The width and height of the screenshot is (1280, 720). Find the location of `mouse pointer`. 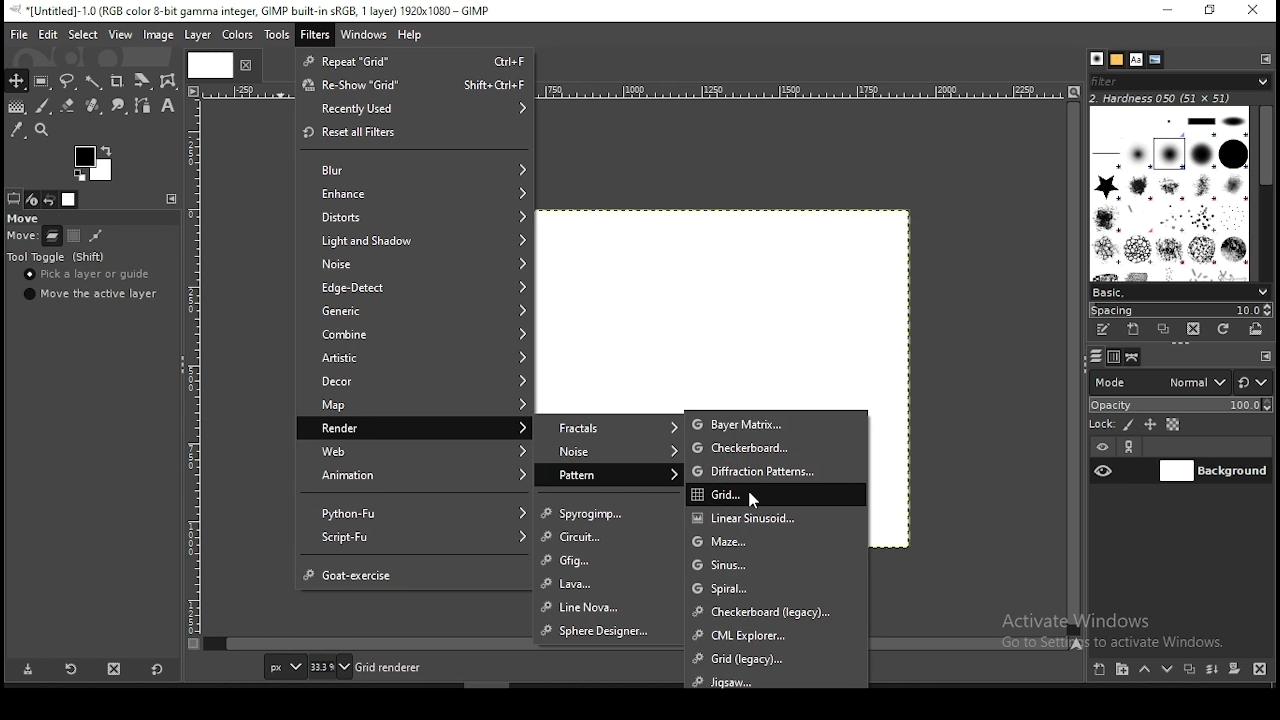

mouse pointer is located at coordinates (751, 500).